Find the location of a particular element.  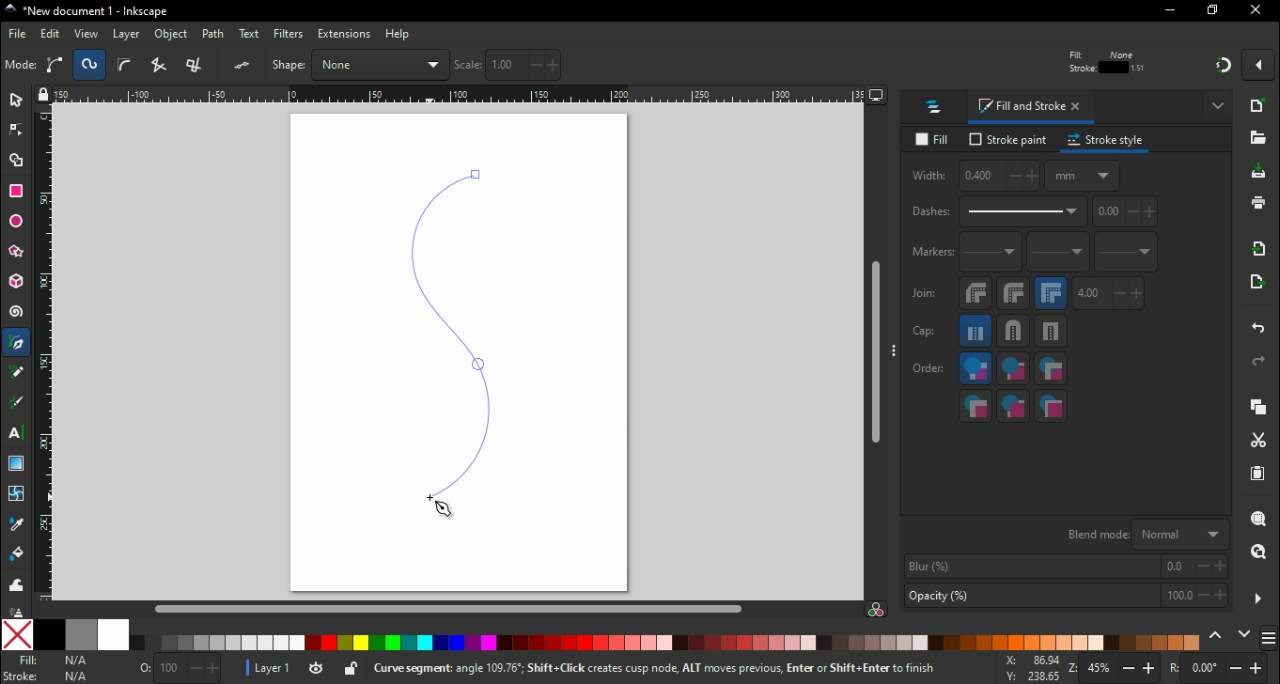

create spiro path is located at coordinates (90, 64).